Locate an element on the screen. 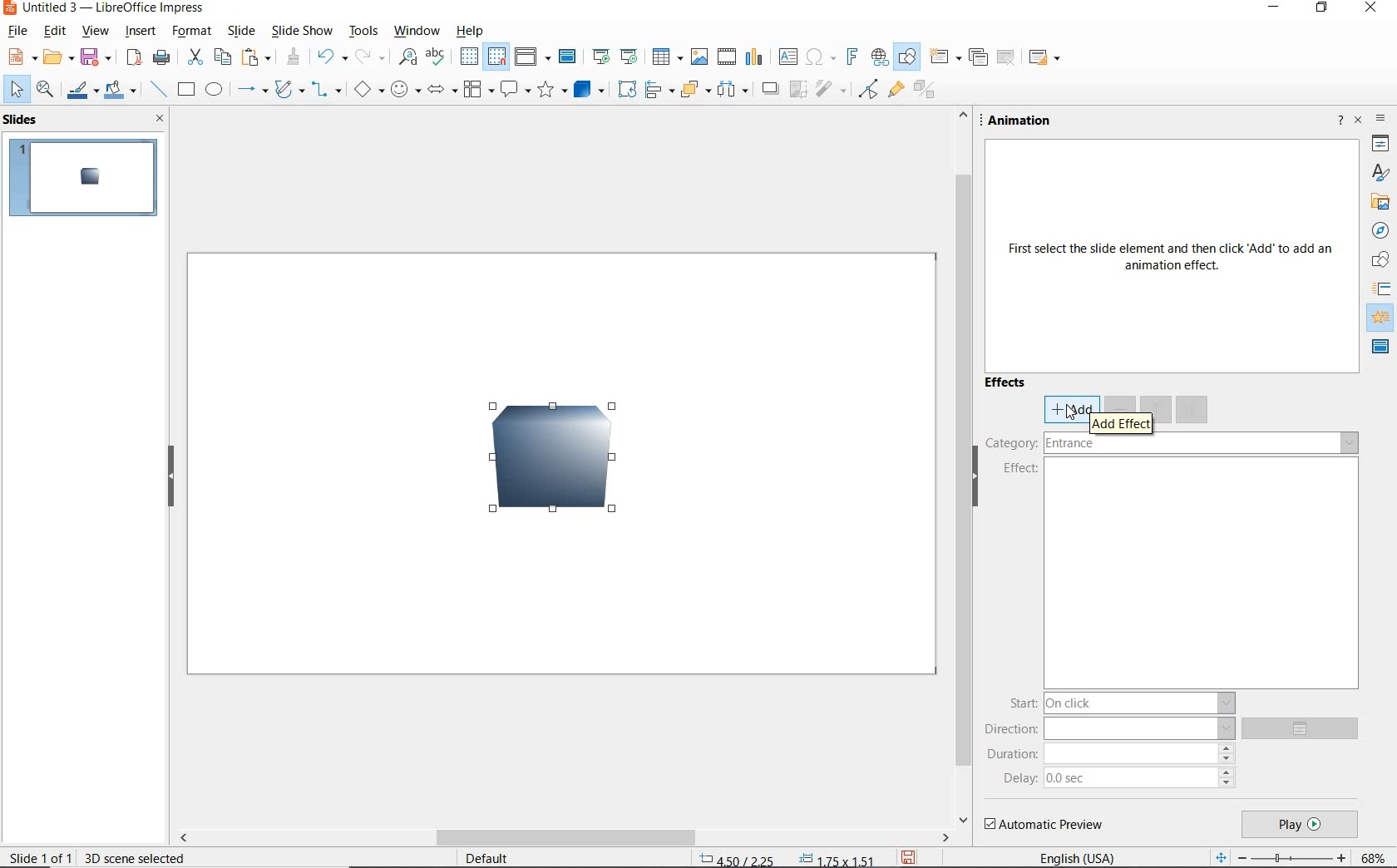 The height and width of the screenshot is (868, 1397). STYLES is located at coordinates (1380, 173).